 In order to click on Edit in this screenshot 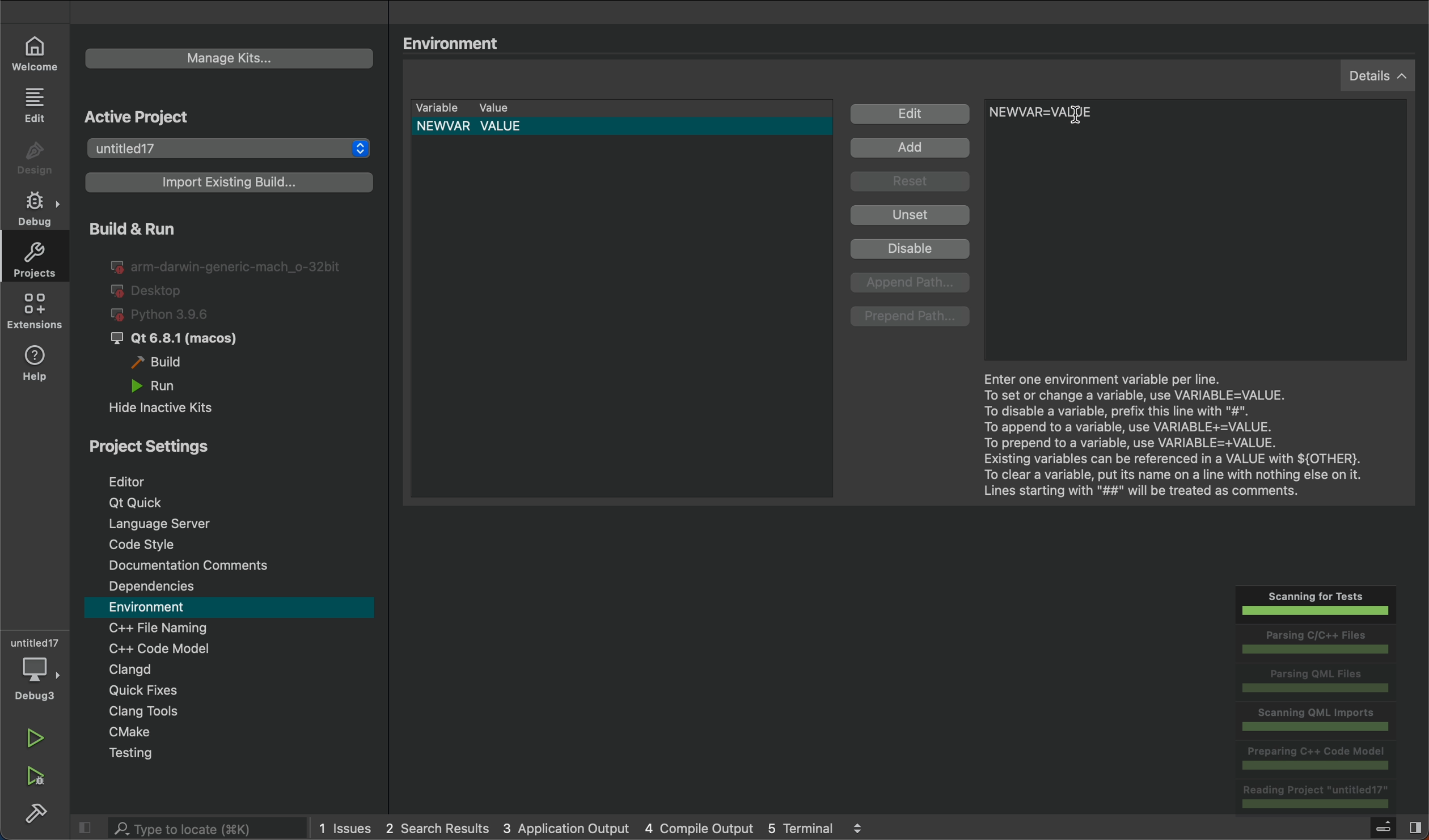, I will do `click(912, 115)`.